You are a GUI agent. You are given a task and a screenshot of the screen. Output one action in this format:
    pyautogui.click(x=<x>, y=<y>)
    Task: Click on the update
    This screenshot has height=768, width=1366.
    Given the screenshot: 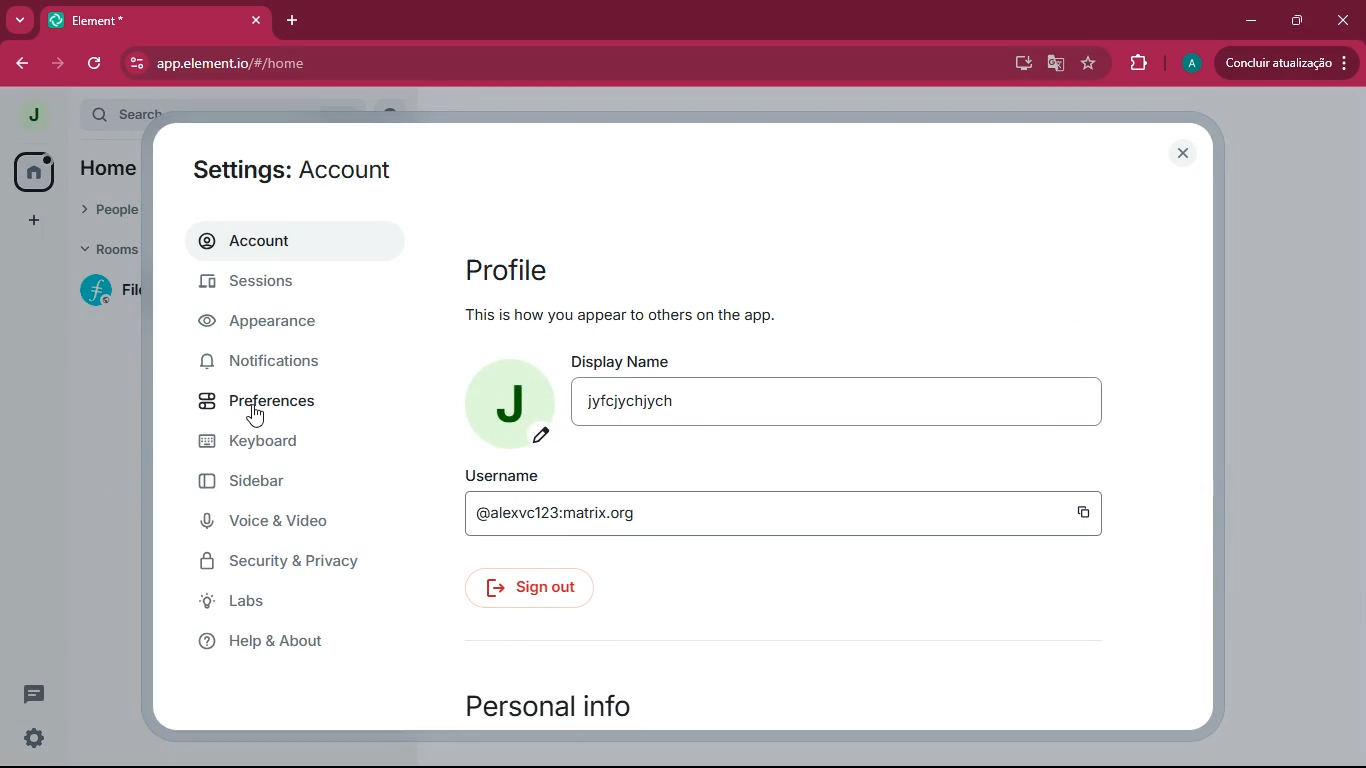 What is the action you would take?
    pyautogui.click(x=1282, y=63)
    